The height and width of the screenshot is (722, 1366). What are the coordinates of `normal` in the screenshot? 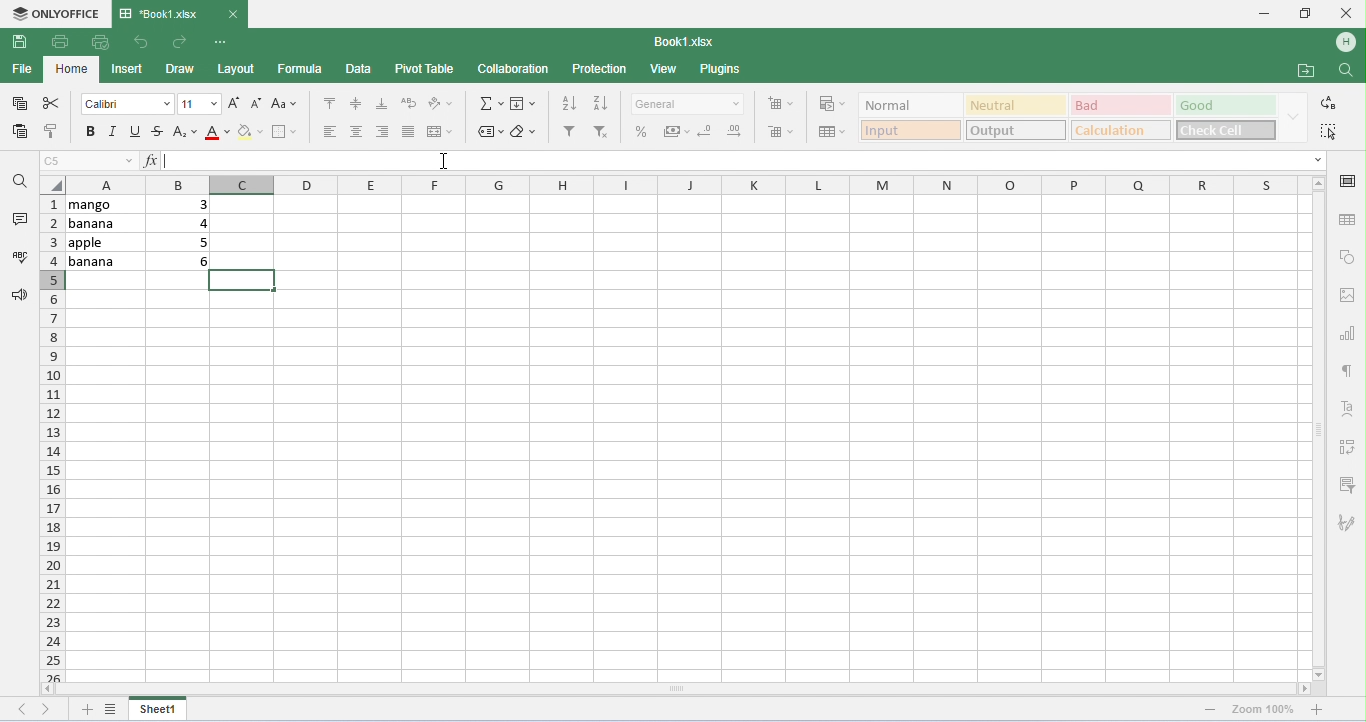 It's located at (909, 105).